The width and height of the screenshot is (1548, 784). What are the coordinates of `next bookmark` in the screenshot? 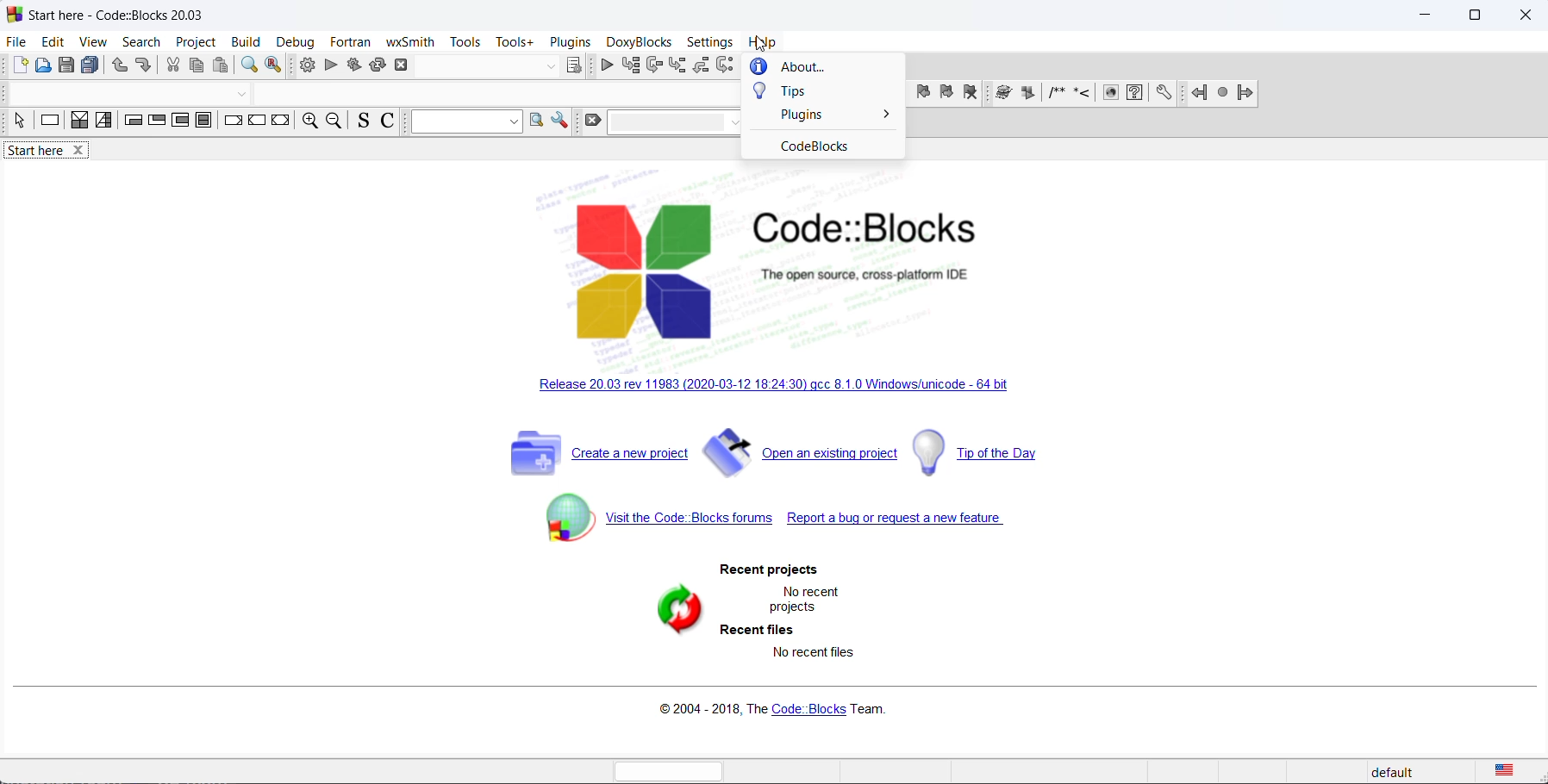 It's located at (946, 92).